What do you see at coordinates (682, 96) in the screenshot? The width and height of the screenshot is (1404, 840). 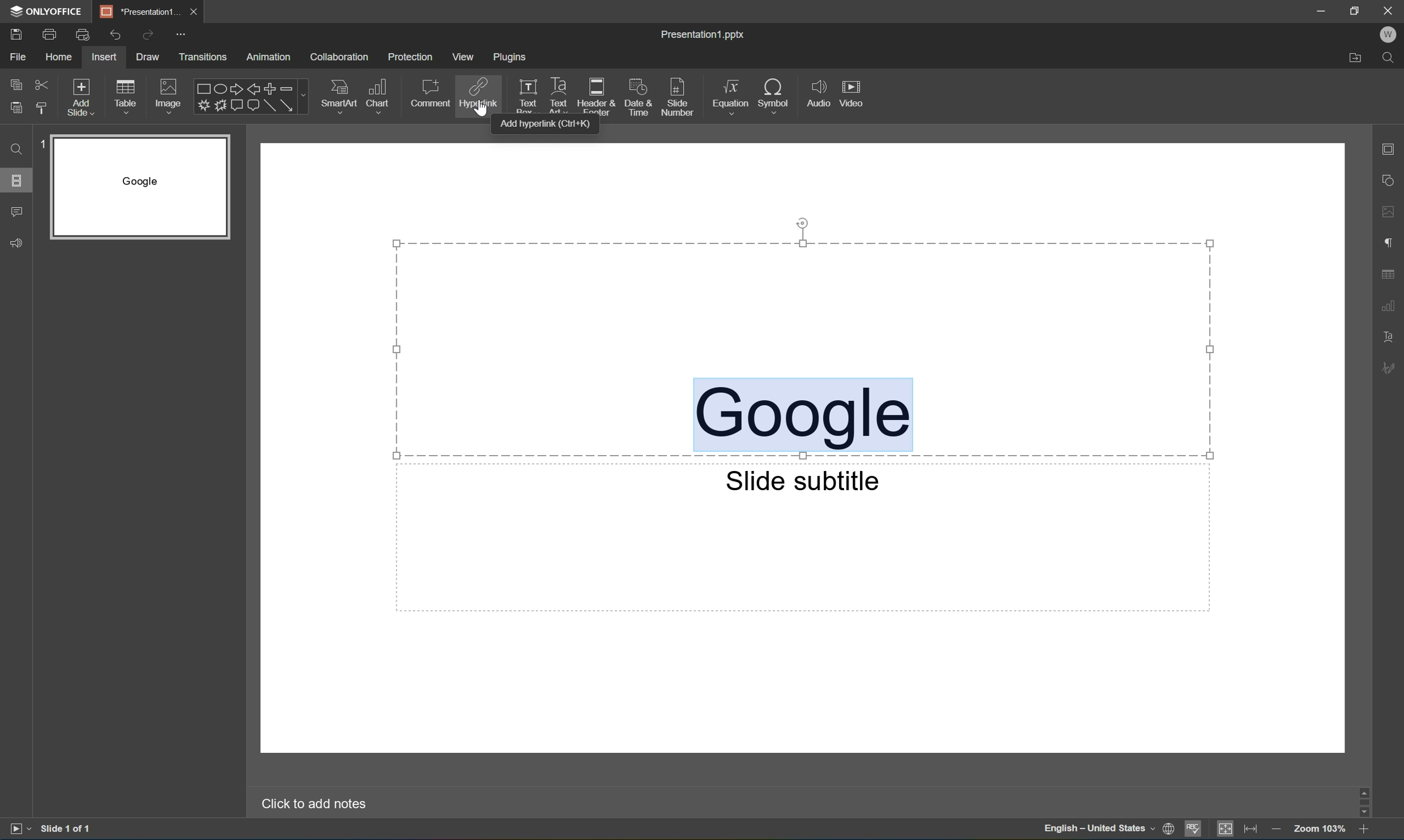 I see `Slide number` at bounding box center [682, 96].